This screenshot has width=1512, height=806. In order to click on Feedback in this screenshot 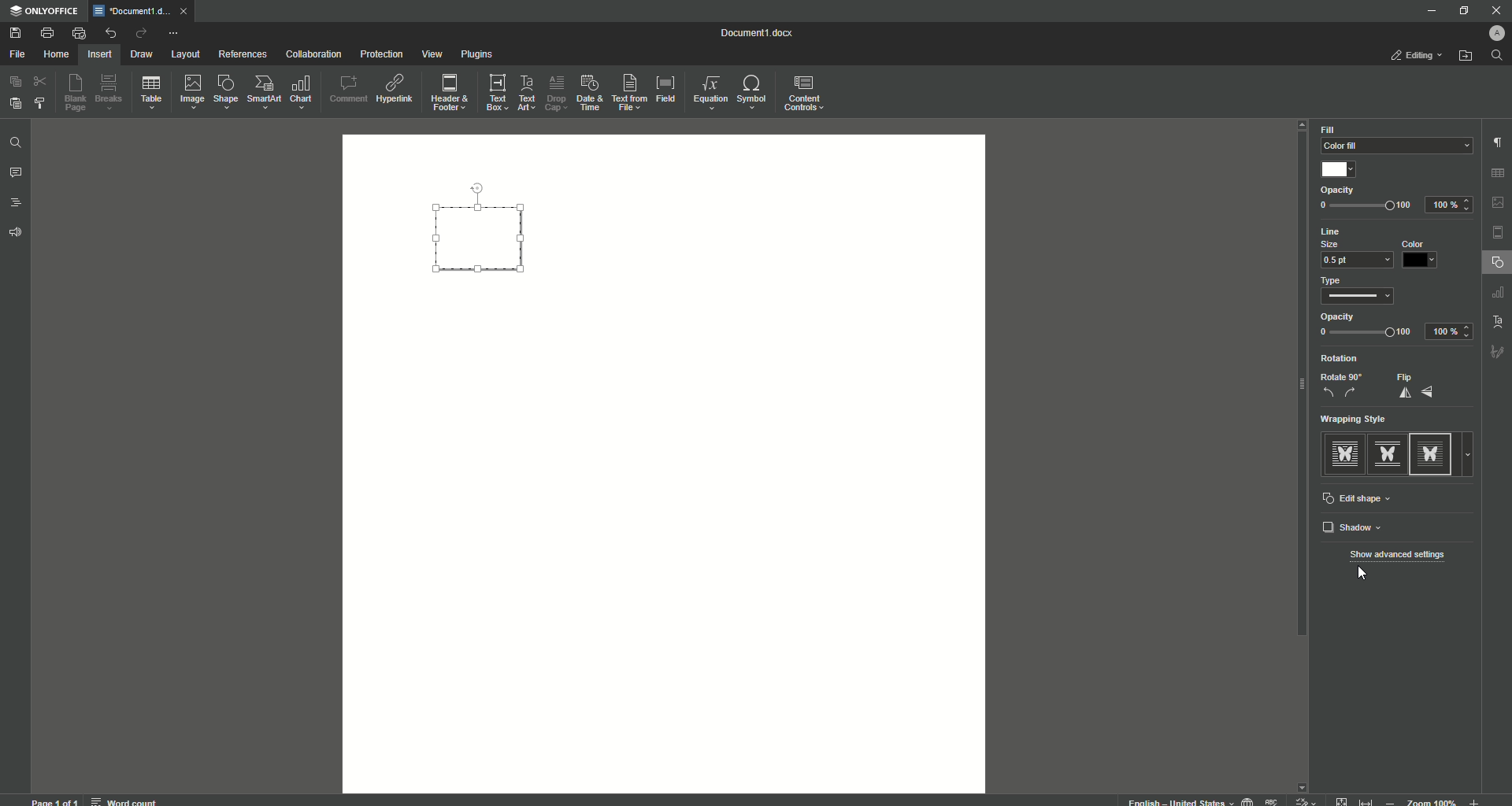, I will do `click(17, 233)`.